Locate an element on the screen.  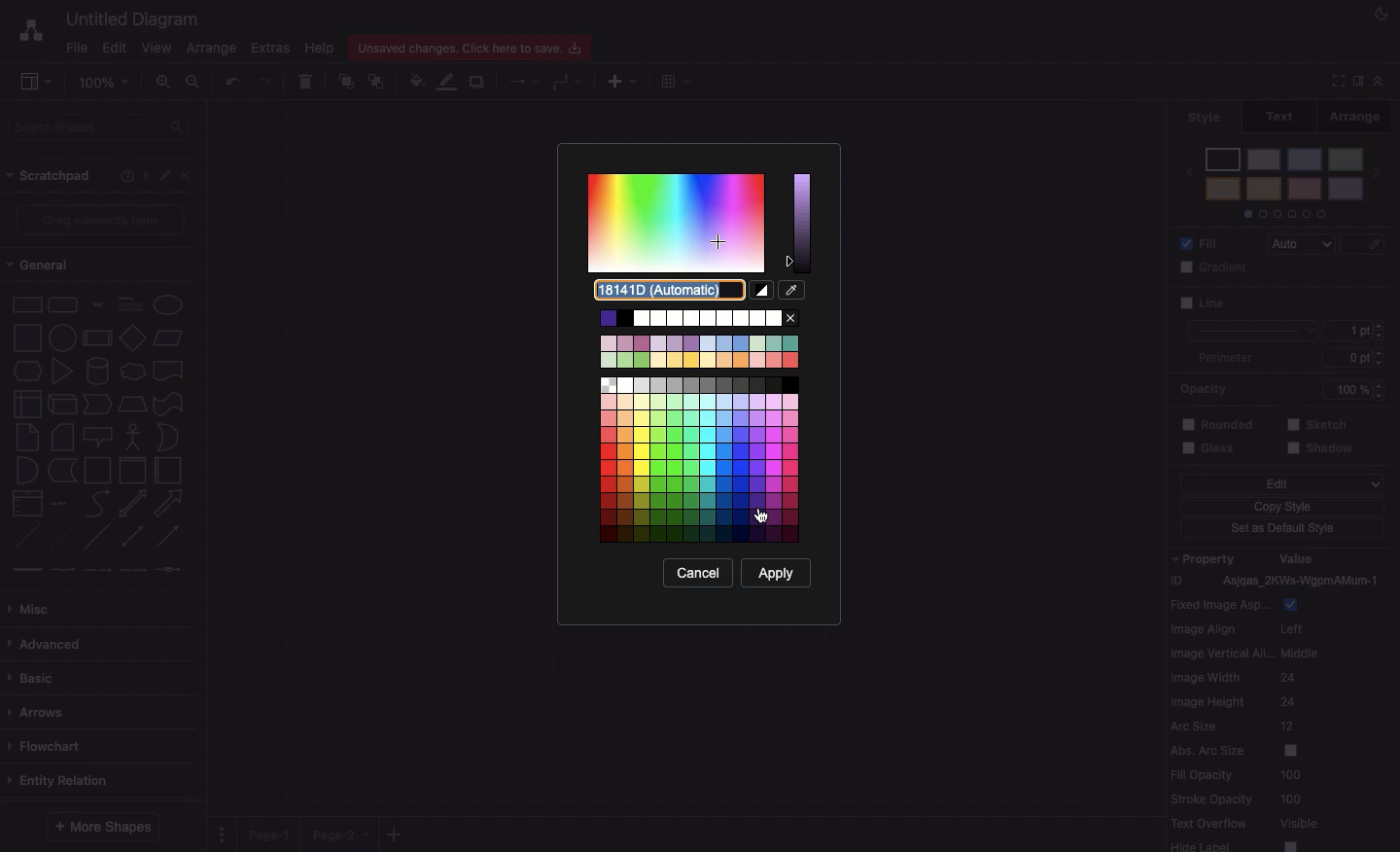
triangle is located at coordinates (61, 372).